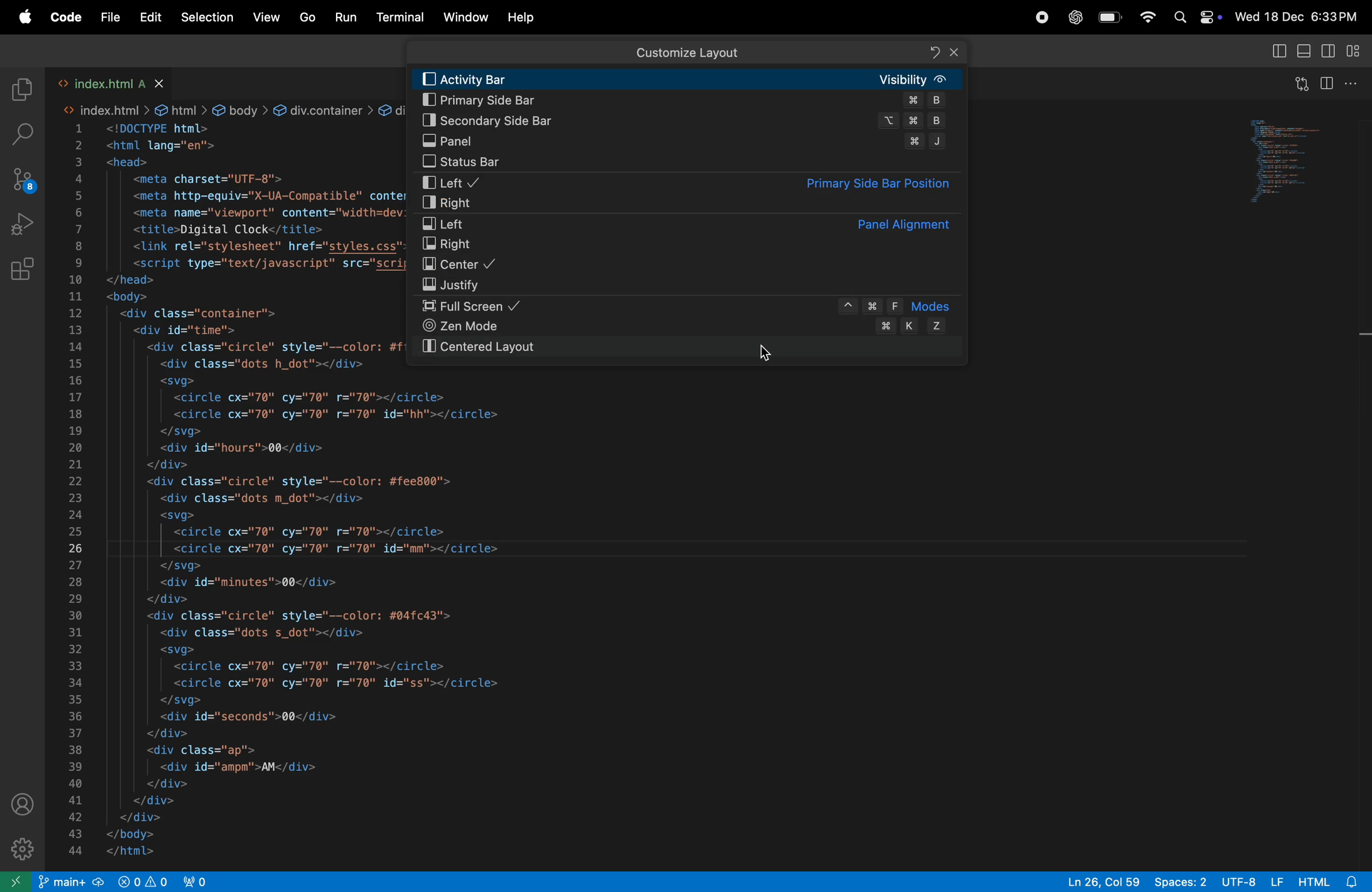  What do you see at coordinates (1277, 50) in the screenshot?
I see `toggle primary side bar` at bounding box center [1277, 50].